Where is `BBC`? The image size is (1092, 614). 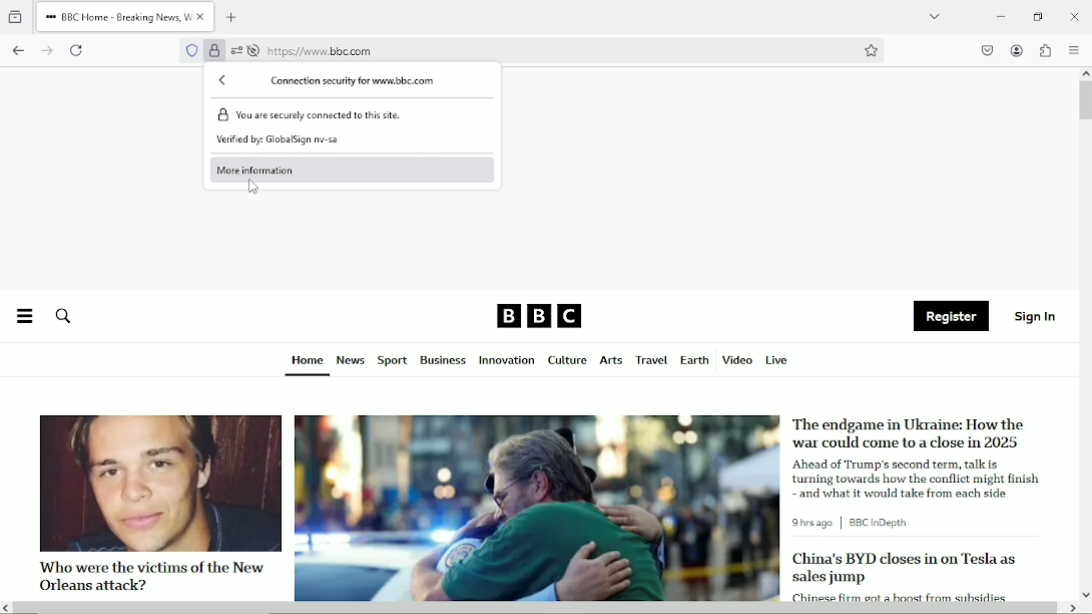
BBC is located at coordinates (539, 315).